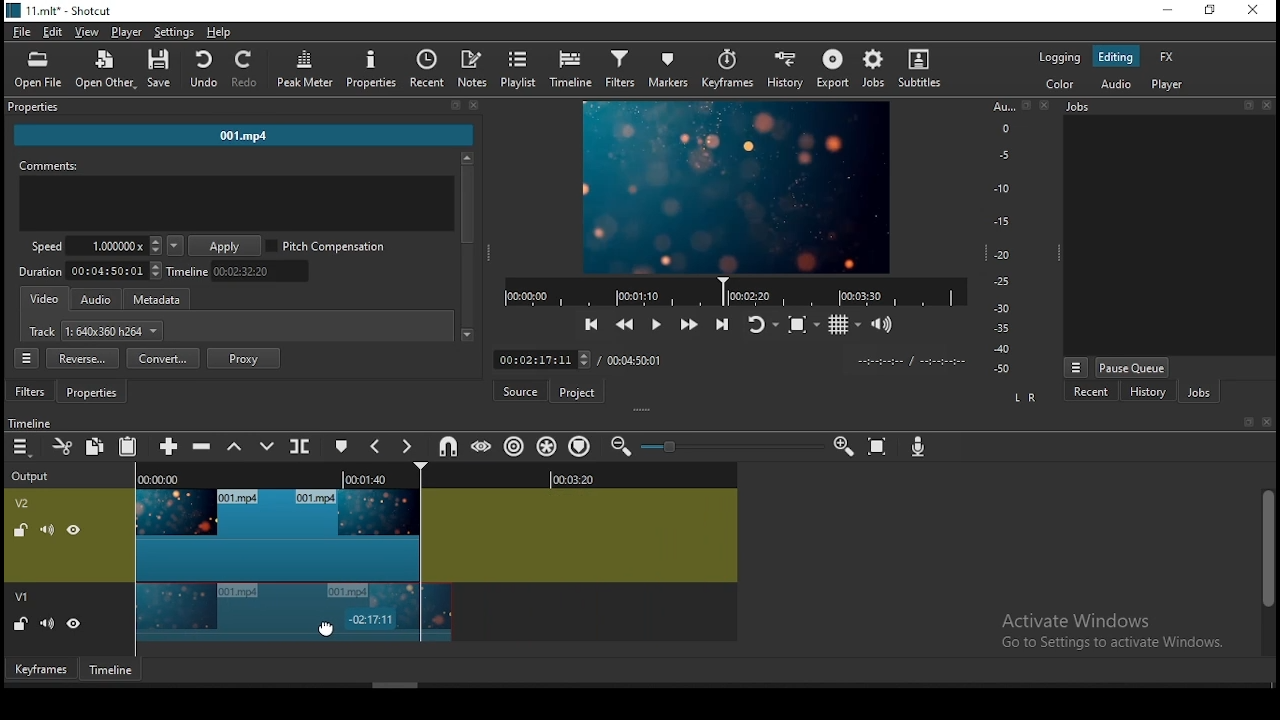  I want to click on speed: 1.000000X, so click(90, 246).